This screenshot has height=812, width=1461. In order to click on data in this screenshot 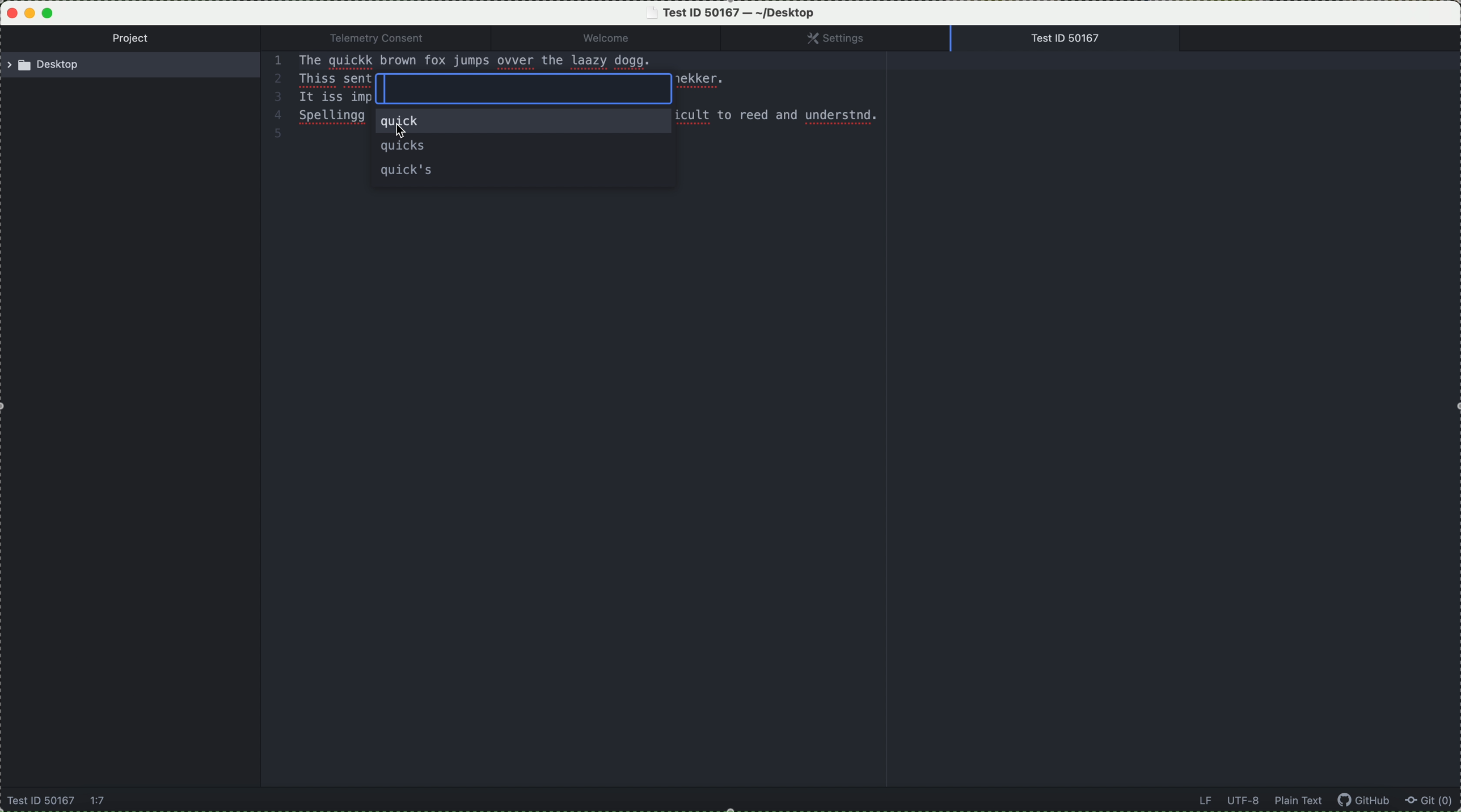, I will do `click(1259, 801)`.